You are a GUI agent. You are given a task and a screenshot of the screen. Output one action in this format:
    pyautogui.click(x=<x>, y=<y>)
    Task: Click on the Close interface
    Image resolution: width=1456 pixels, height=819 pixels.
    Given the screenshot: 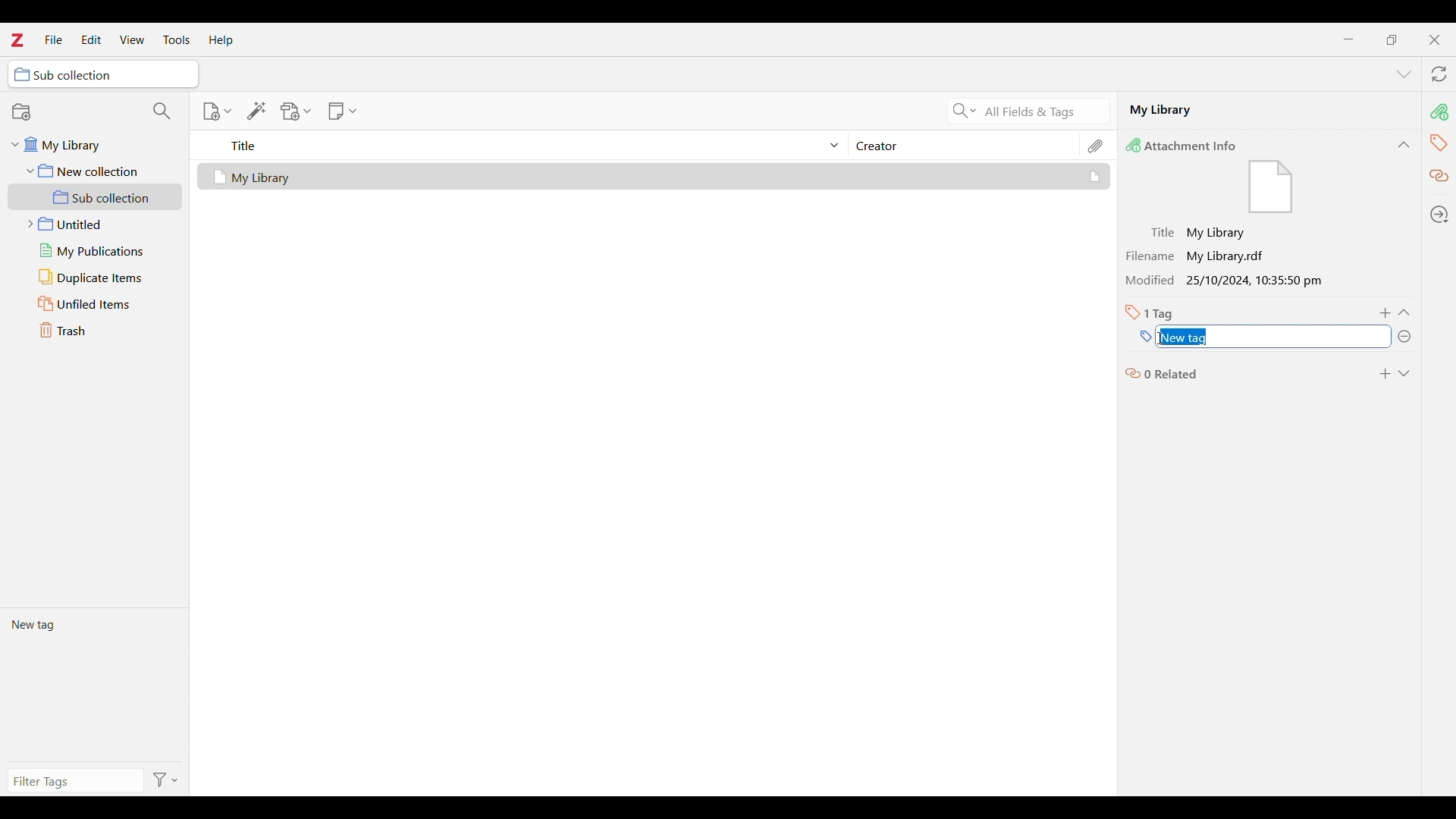 What is the action you would take?
    pyautogui.click(x=1434, y=39)
    